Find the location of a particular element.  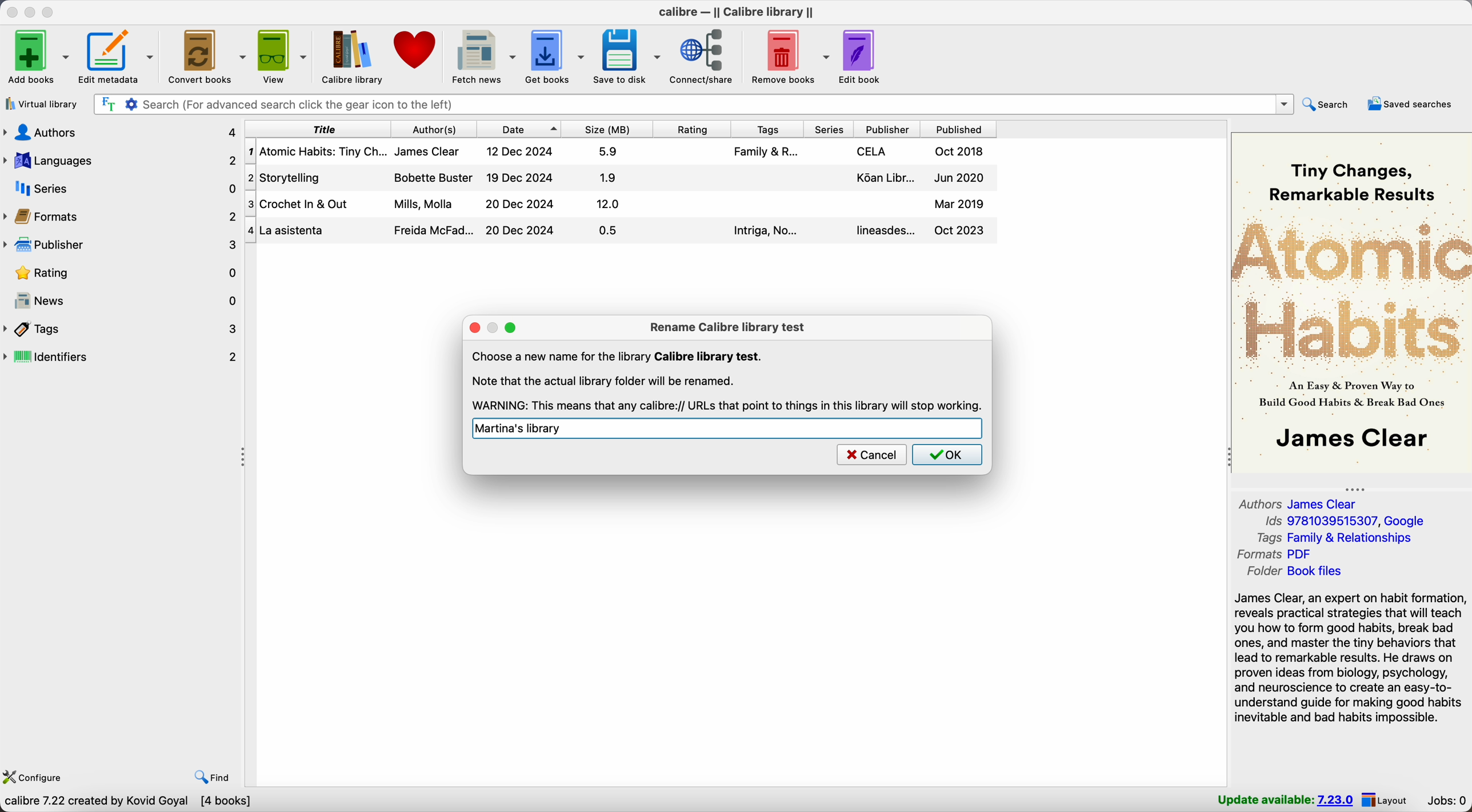

tags Family & Relationships is located at coordinates (1338, 539).